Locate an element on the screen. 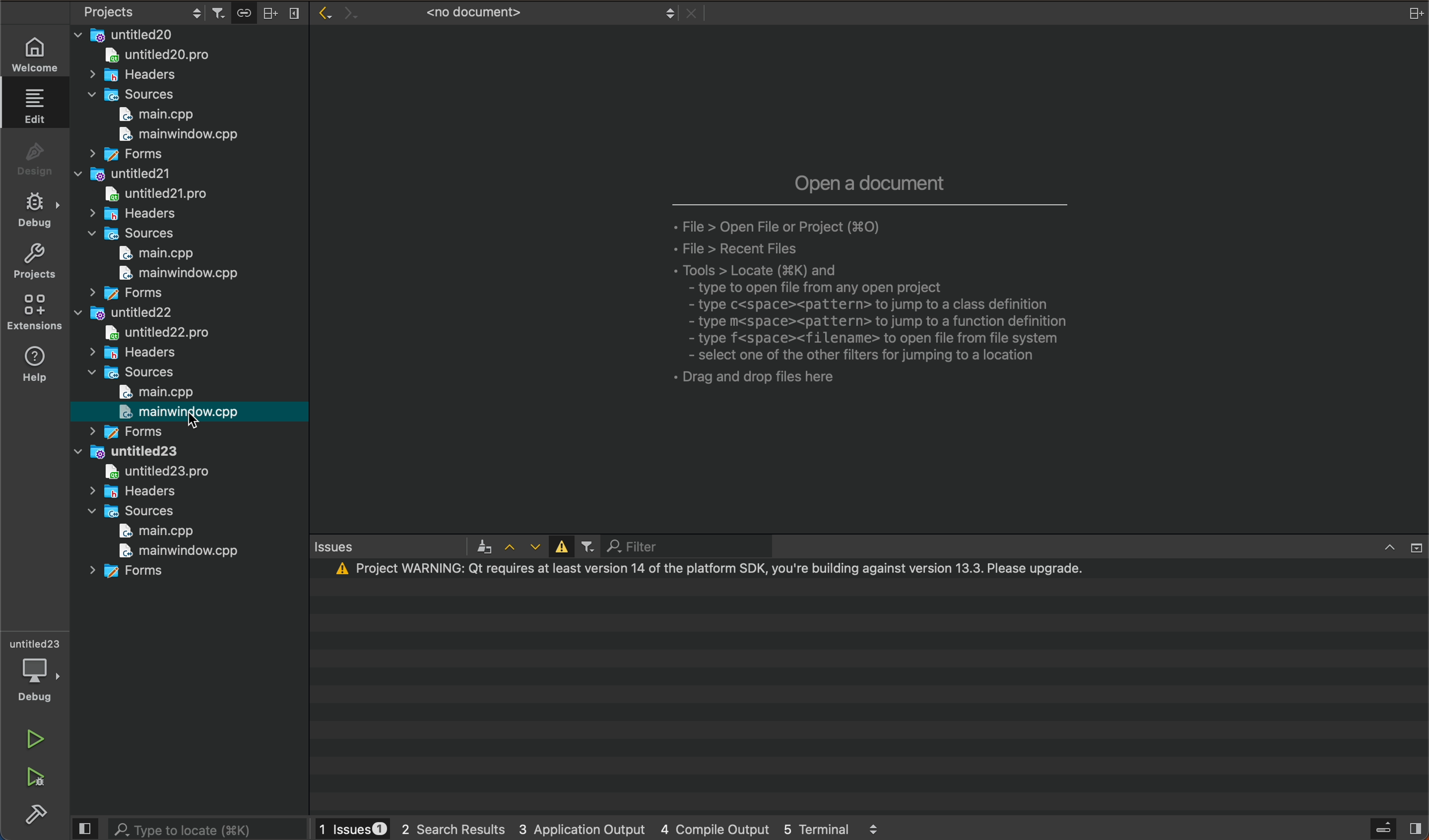  sources is located at coordinates (128, 234).